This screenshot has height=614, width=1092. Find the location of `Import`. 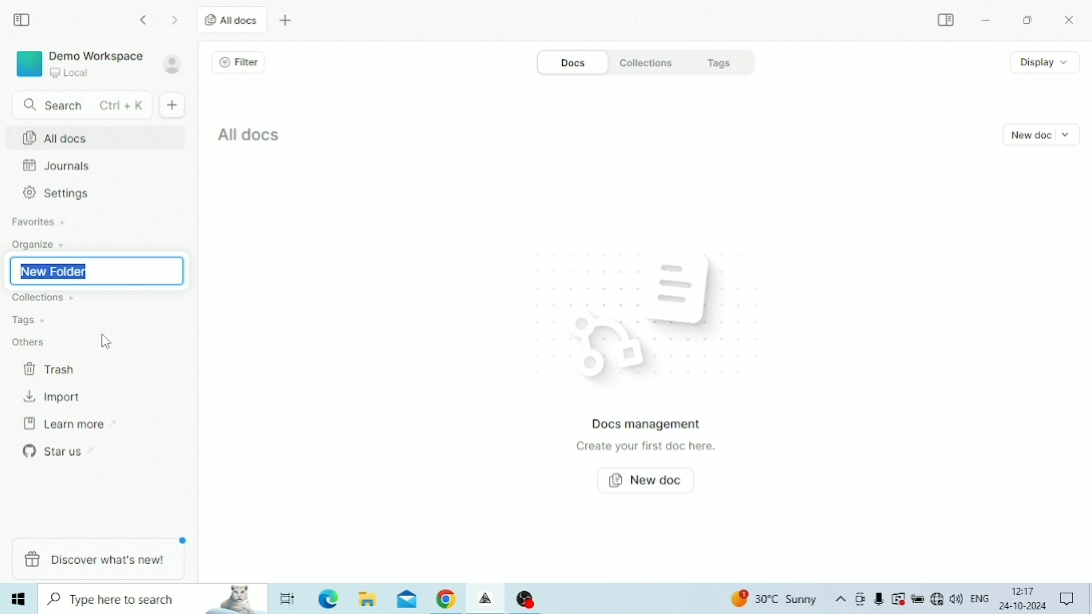

Import is located at coordinates (54, 396).